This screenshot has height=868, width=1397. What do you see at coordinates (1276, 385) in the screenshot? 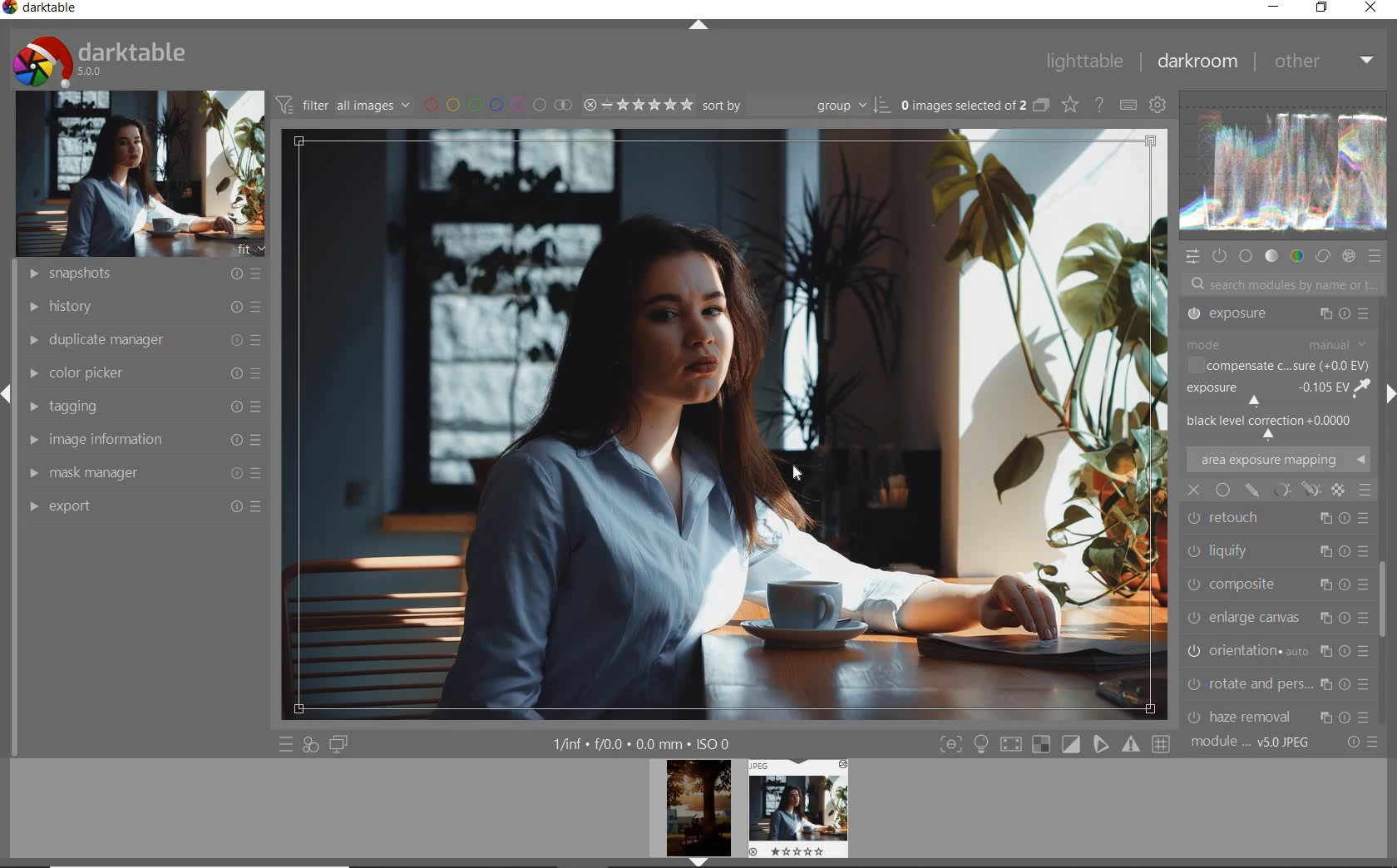
I see `EXPOSURE` at bounding box center [1276, 385].